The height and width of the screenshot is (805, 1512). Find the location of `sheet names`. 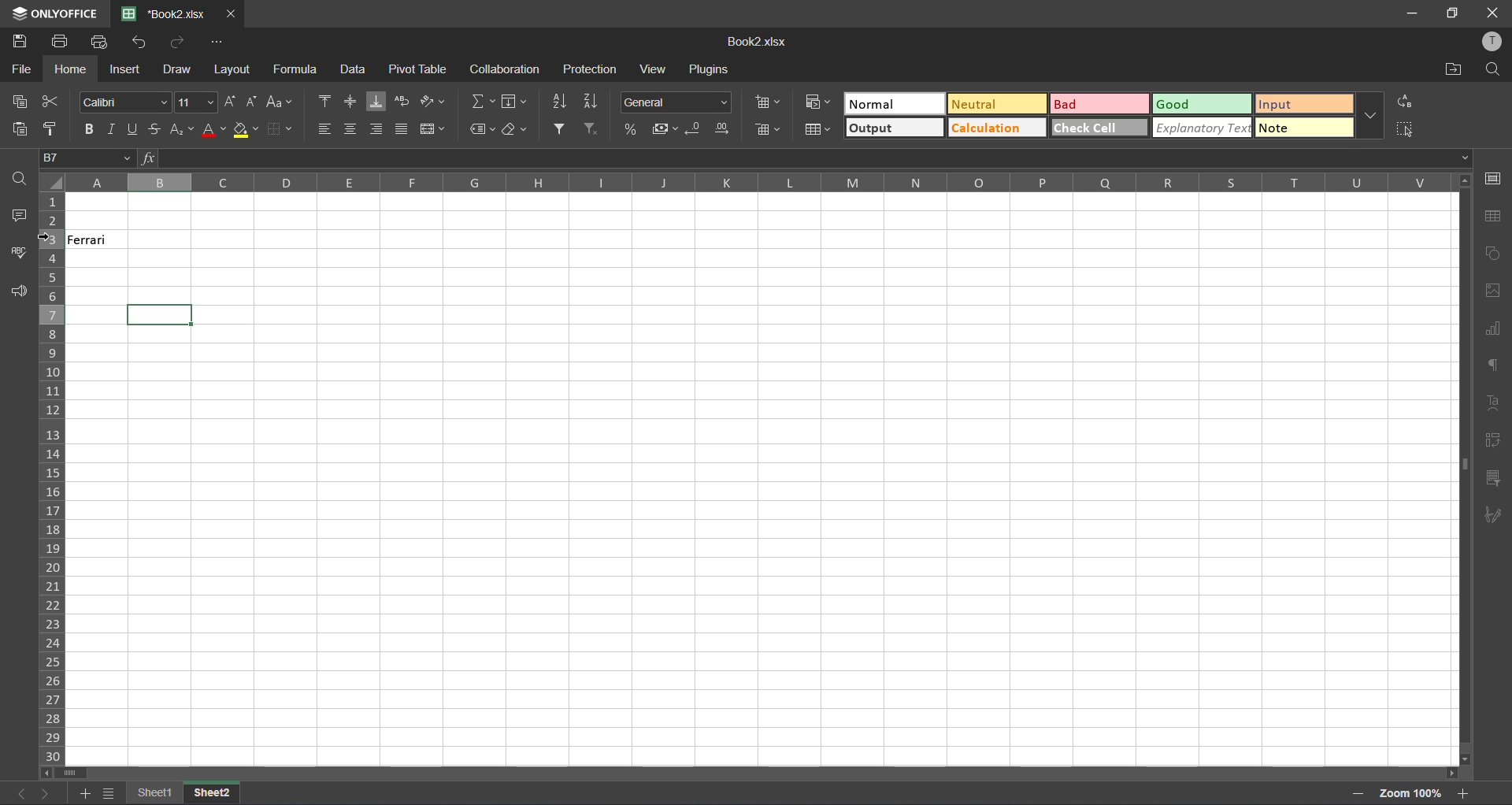

sheet names is located at coordinates (183, 792).